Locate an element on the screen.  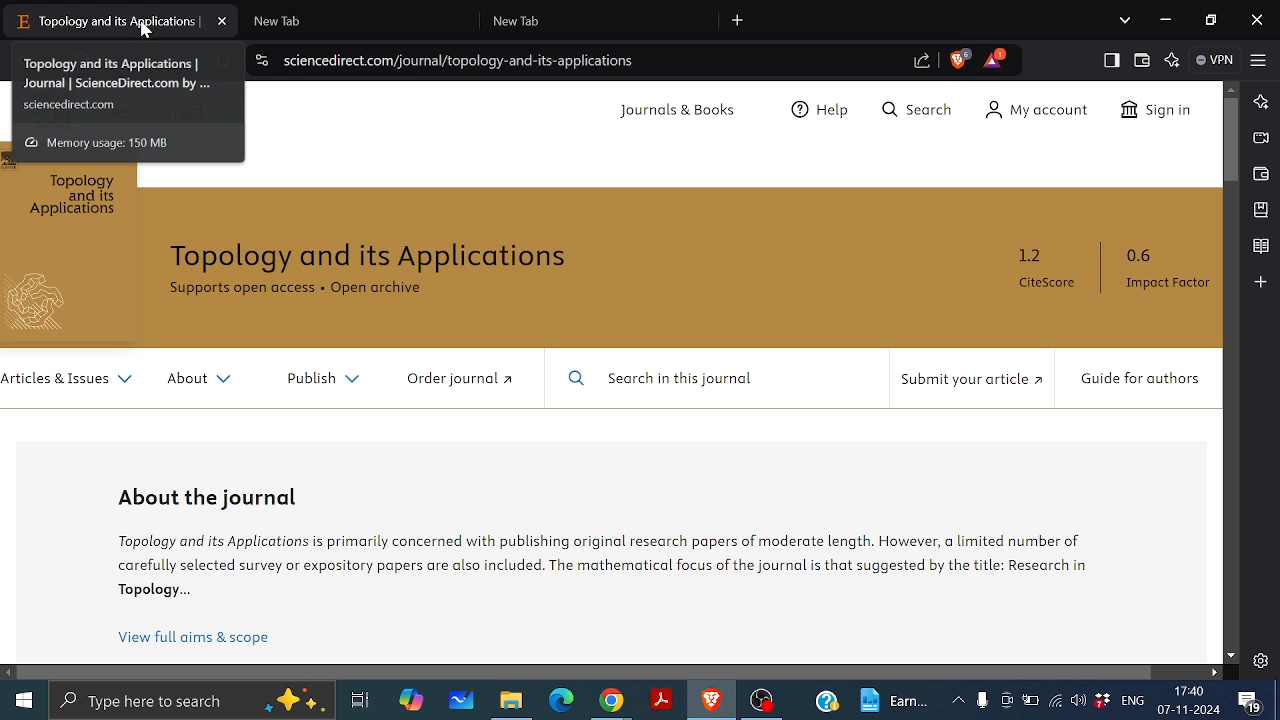
Microsoft edge is located at coordinates (565, 700).